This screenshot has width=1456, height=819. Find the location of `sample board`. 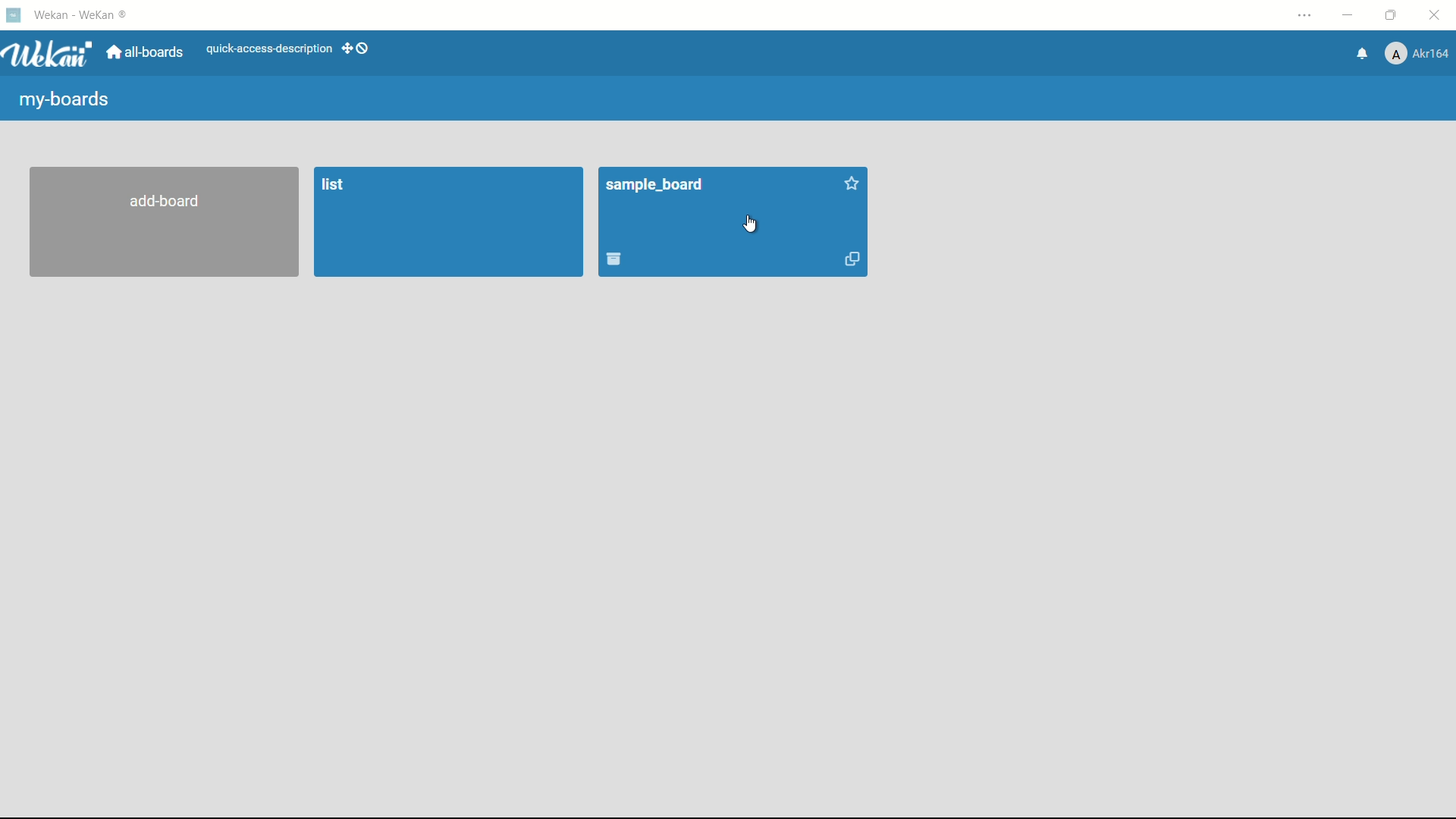

sample board is located at coordinates (731, 224).